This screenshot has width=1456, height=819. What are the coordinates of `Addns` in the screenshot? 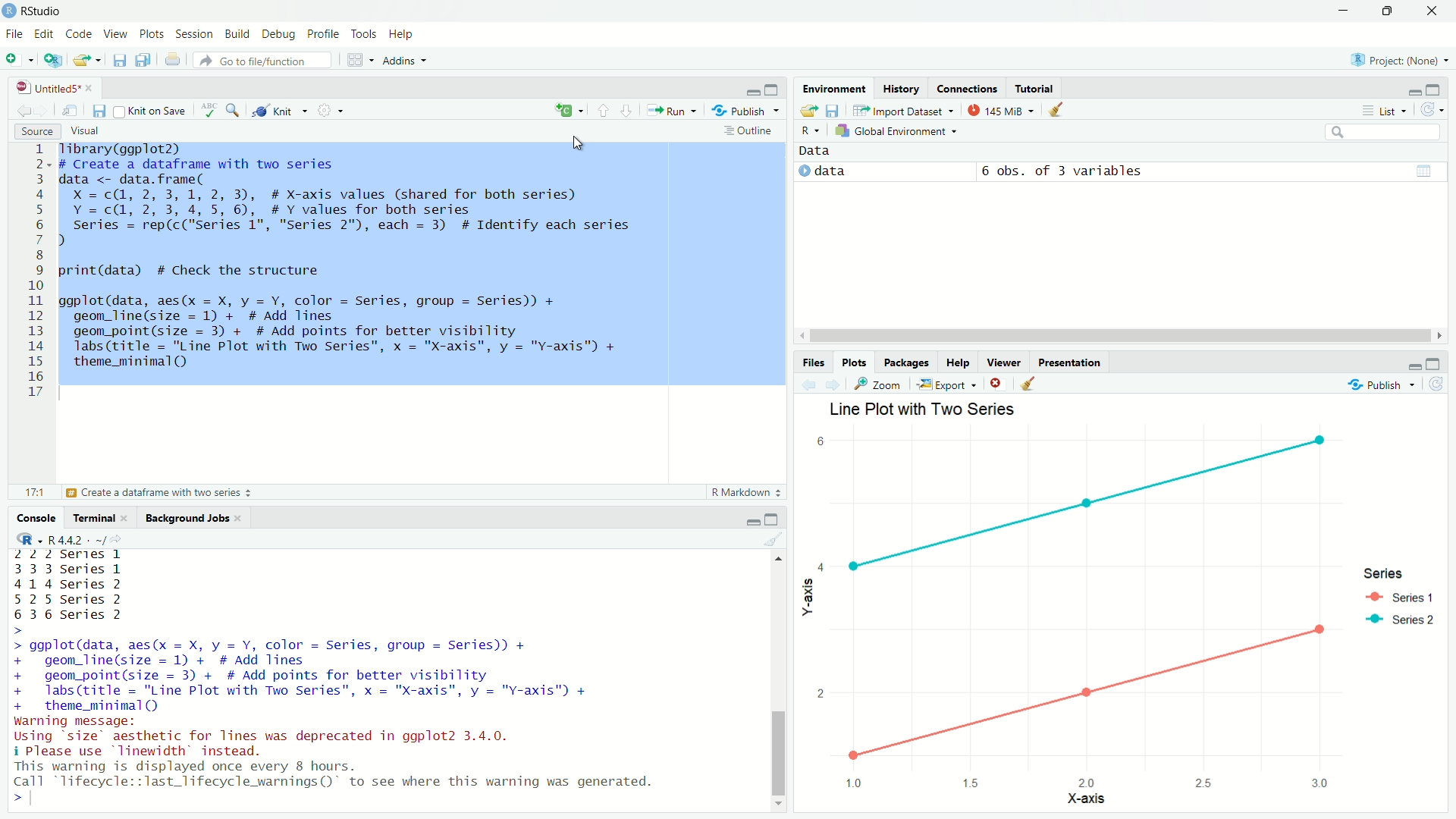 It's located at (409, 63).